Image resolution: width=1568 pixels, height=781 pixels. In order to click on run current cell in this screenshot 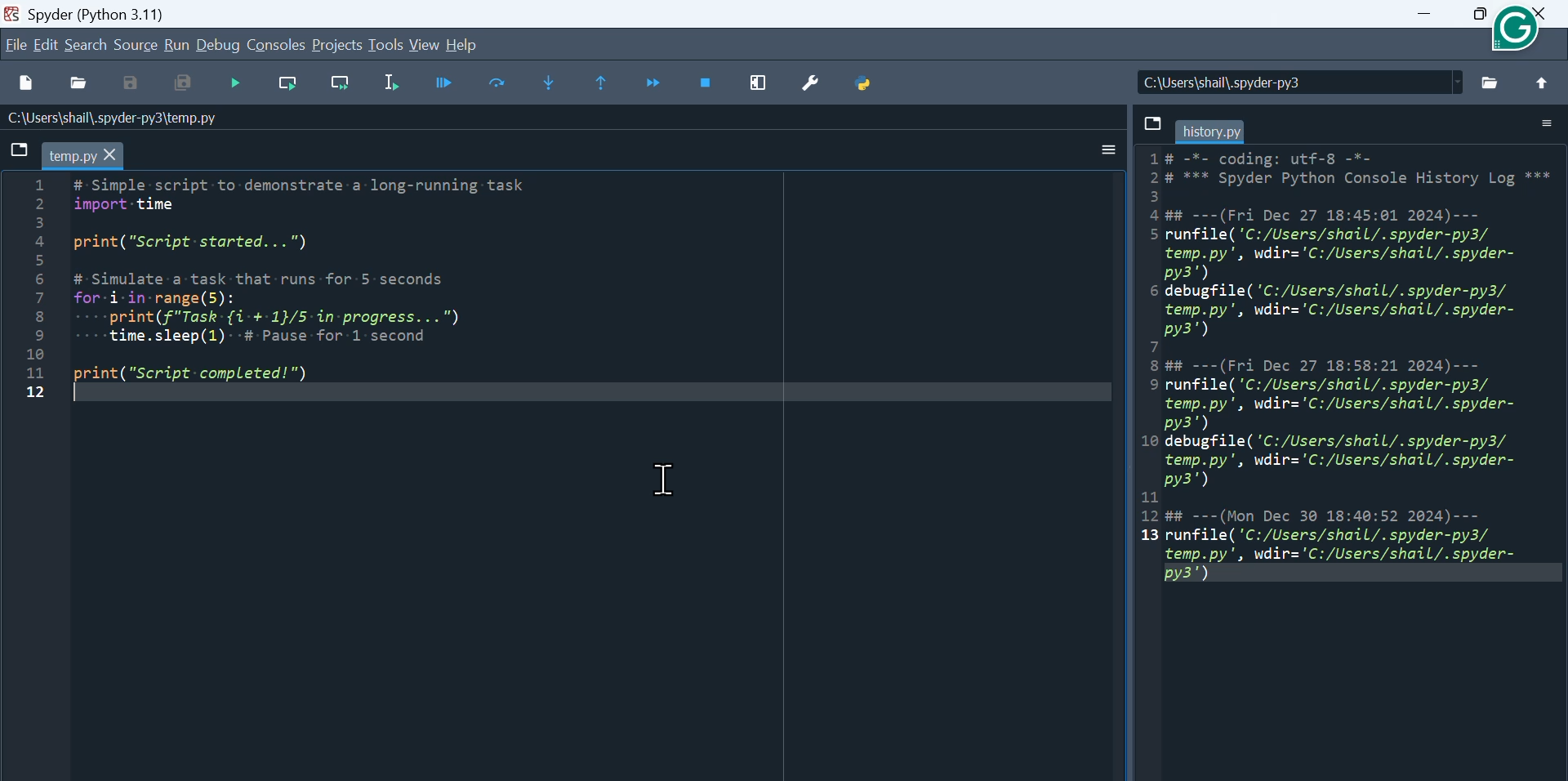, I will do `click(441, 81)`.